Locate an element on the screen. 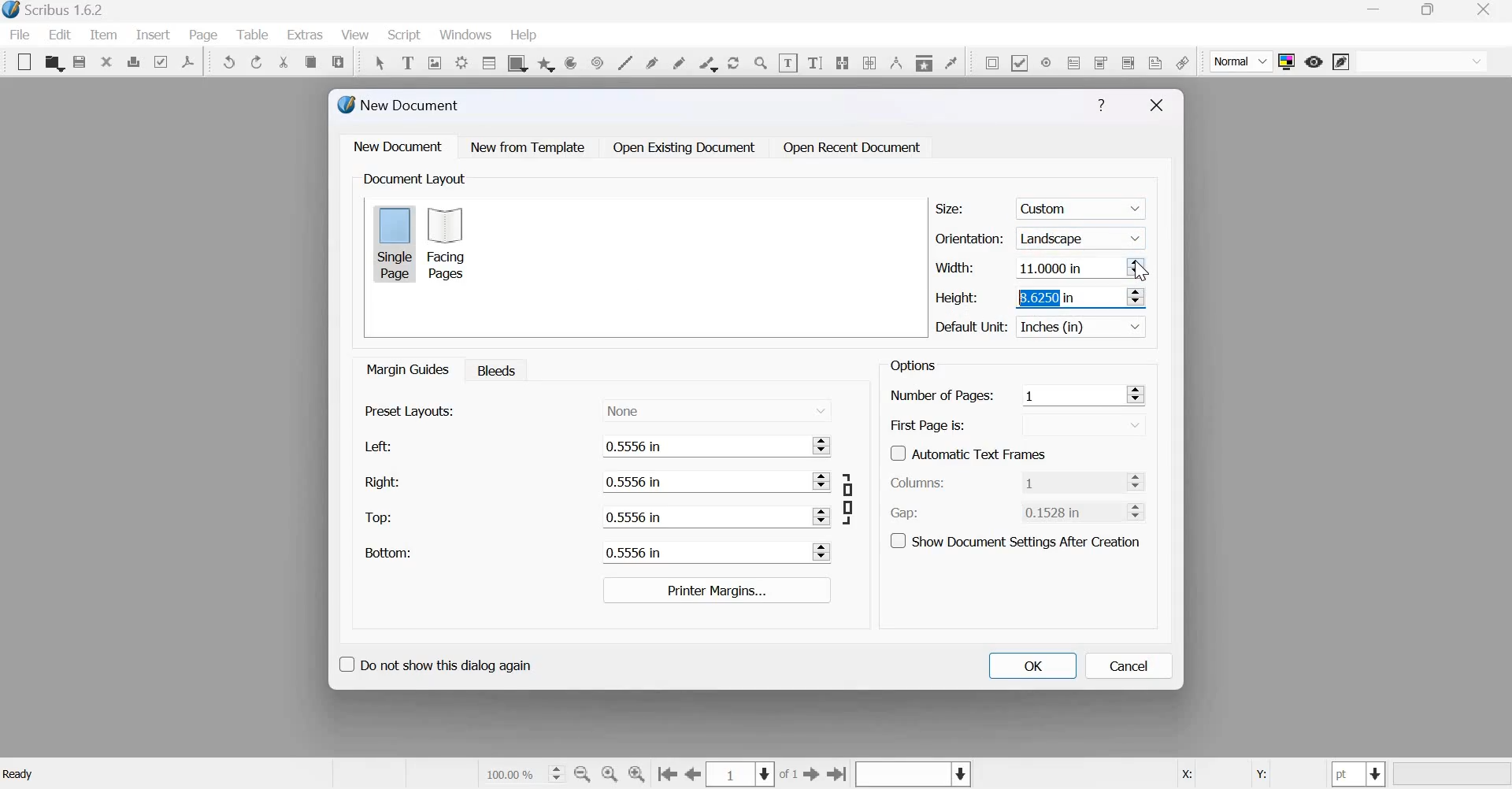 This screenshot has width=1512, height=789. Edit is located at coordinates (60, 35).